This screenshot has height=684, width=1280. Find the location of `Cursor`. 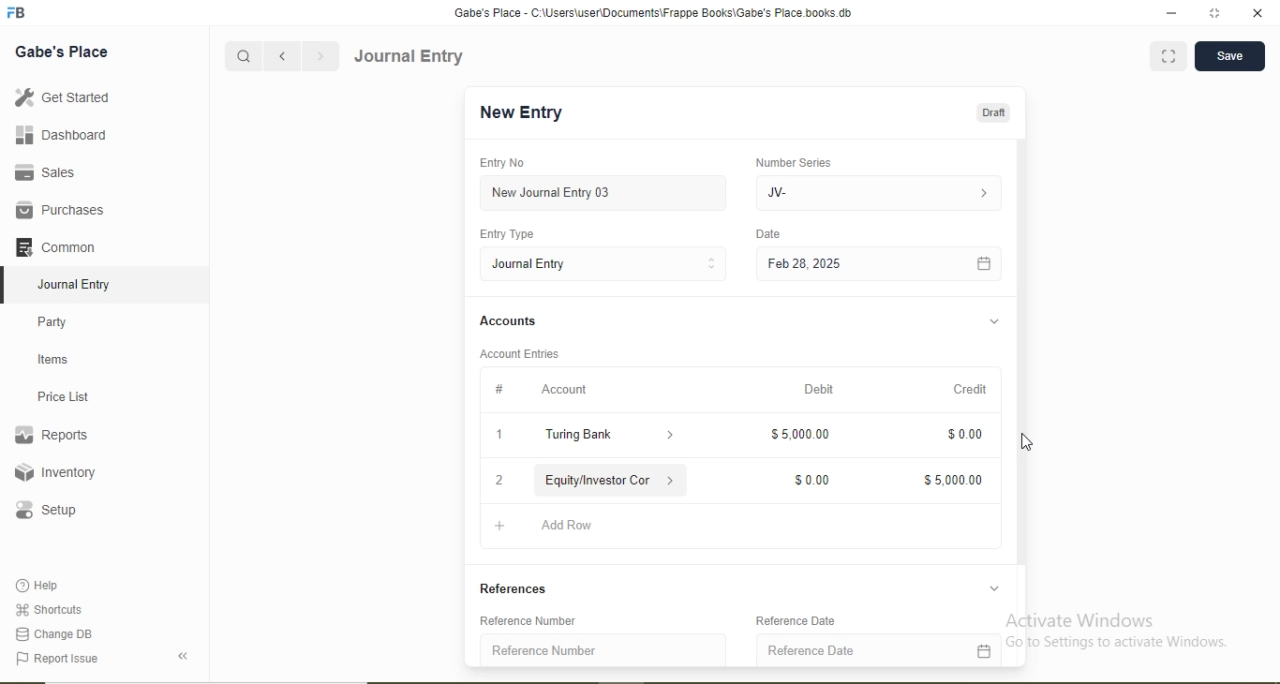

Cursor is located at coordinates (1028, 443).